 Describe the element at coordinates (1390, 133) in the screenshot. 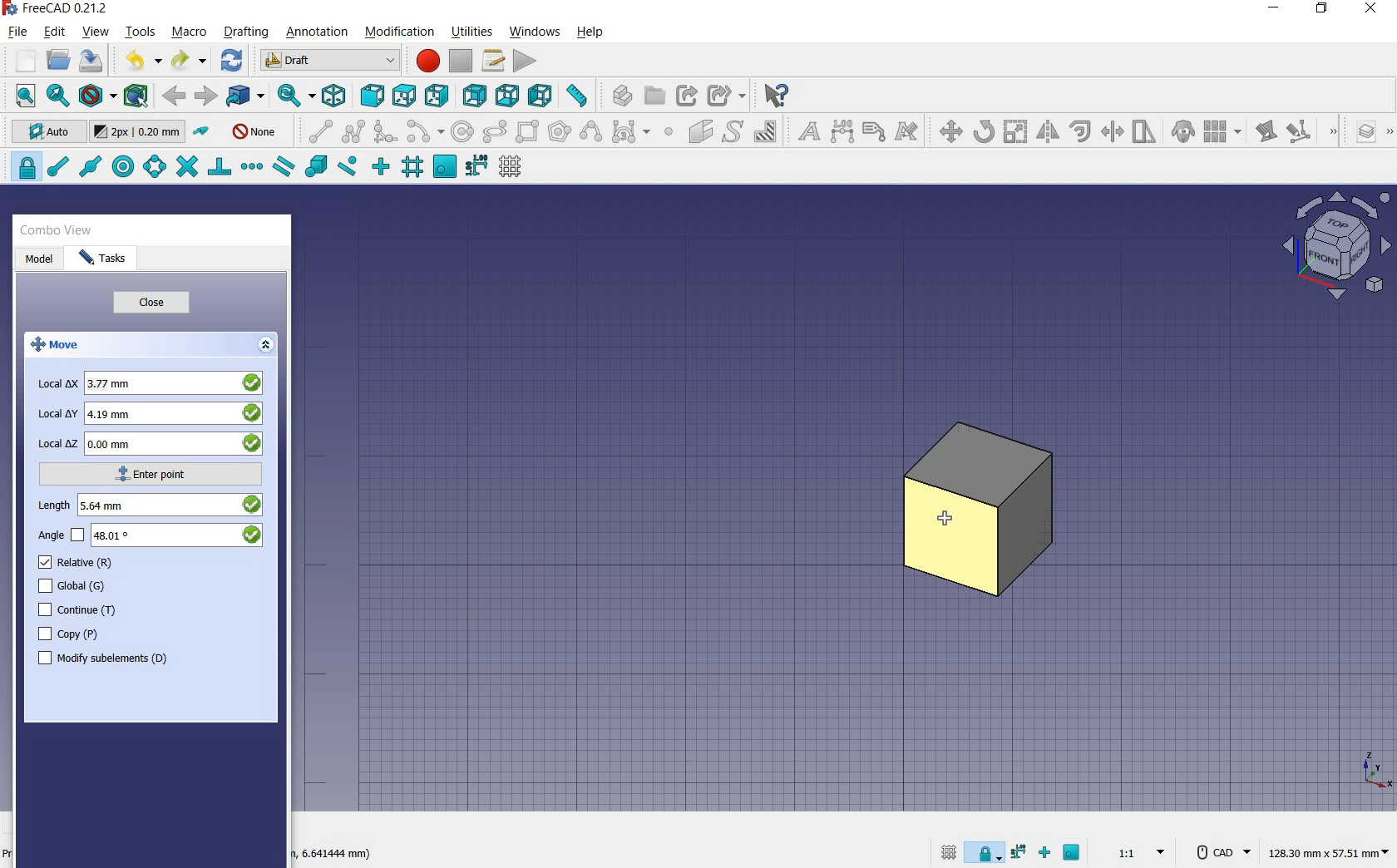

I see `draft utility tools` at that location.